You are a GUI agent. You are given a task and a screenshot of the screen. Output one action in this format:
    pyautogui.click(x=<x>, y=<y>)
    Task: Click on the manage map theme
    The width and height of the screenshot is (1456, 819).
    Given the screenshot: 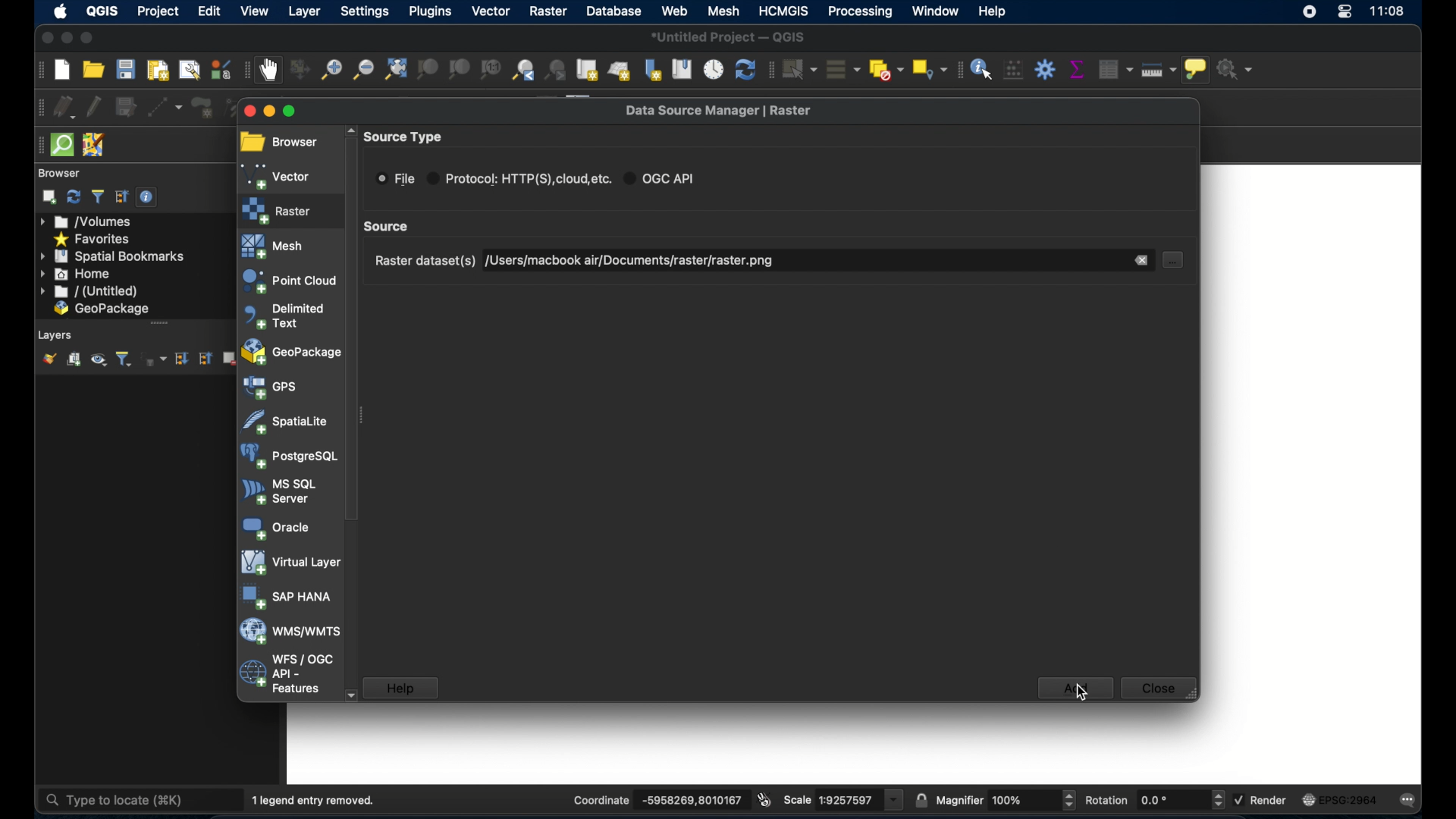 What is the action you would take?
    pyautogui.click(x=99, y=361)
    